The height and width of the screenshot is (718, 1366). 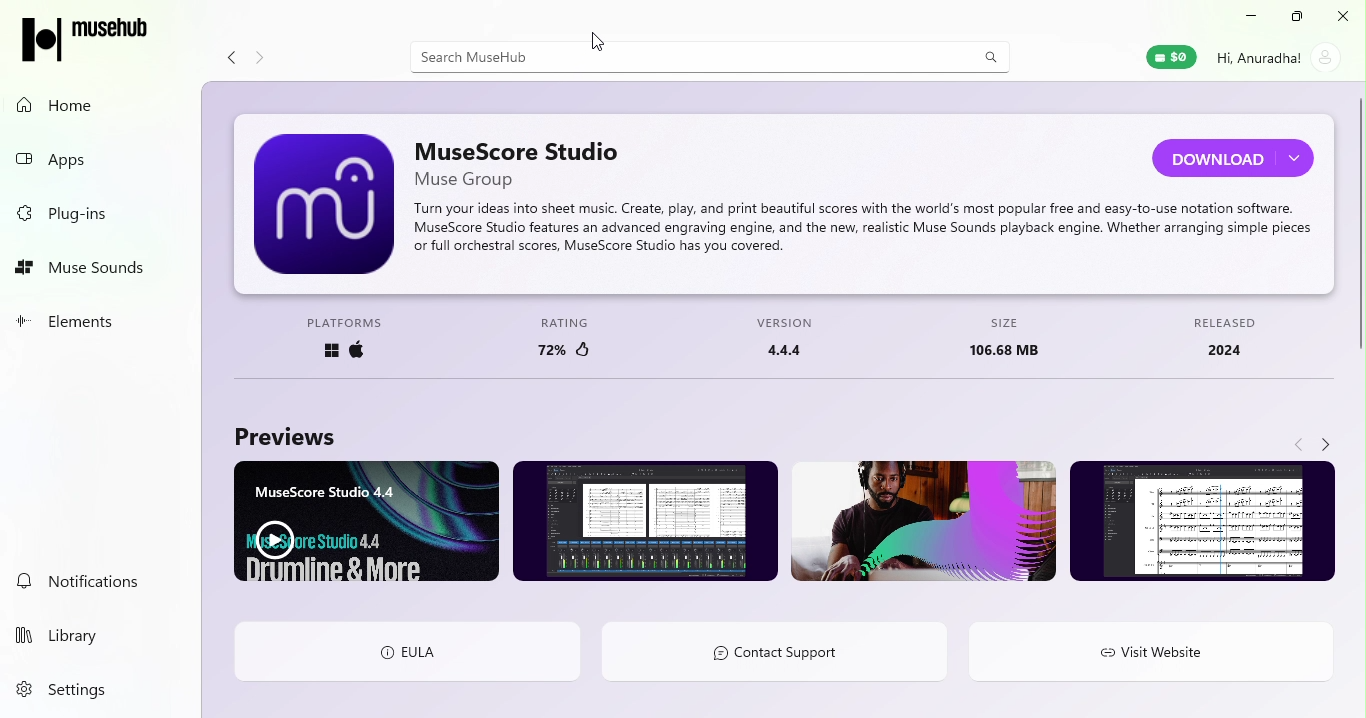 I want to click on Settings, so click(x=87, y=689).